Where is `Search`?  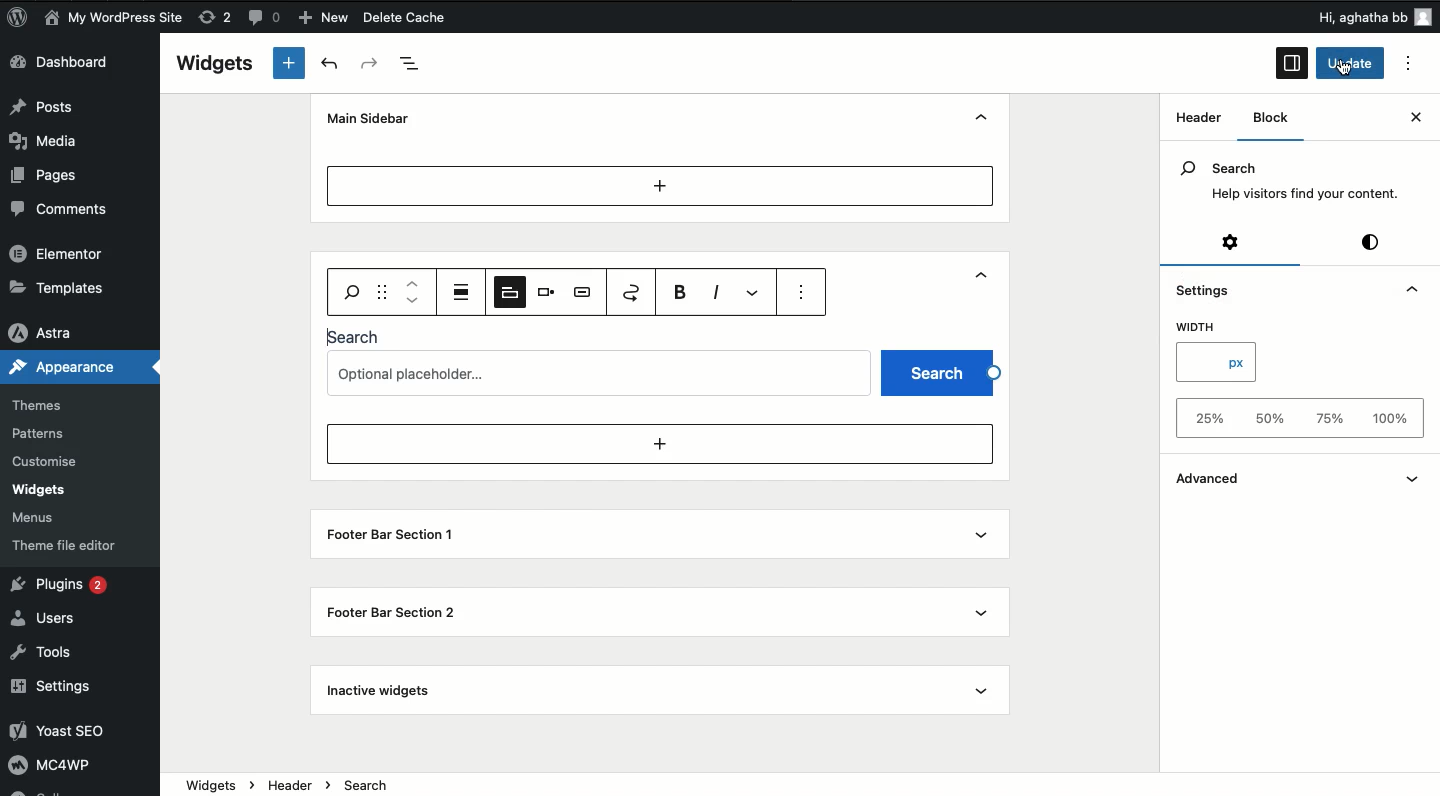 Search is located at coordinates (939, 371).